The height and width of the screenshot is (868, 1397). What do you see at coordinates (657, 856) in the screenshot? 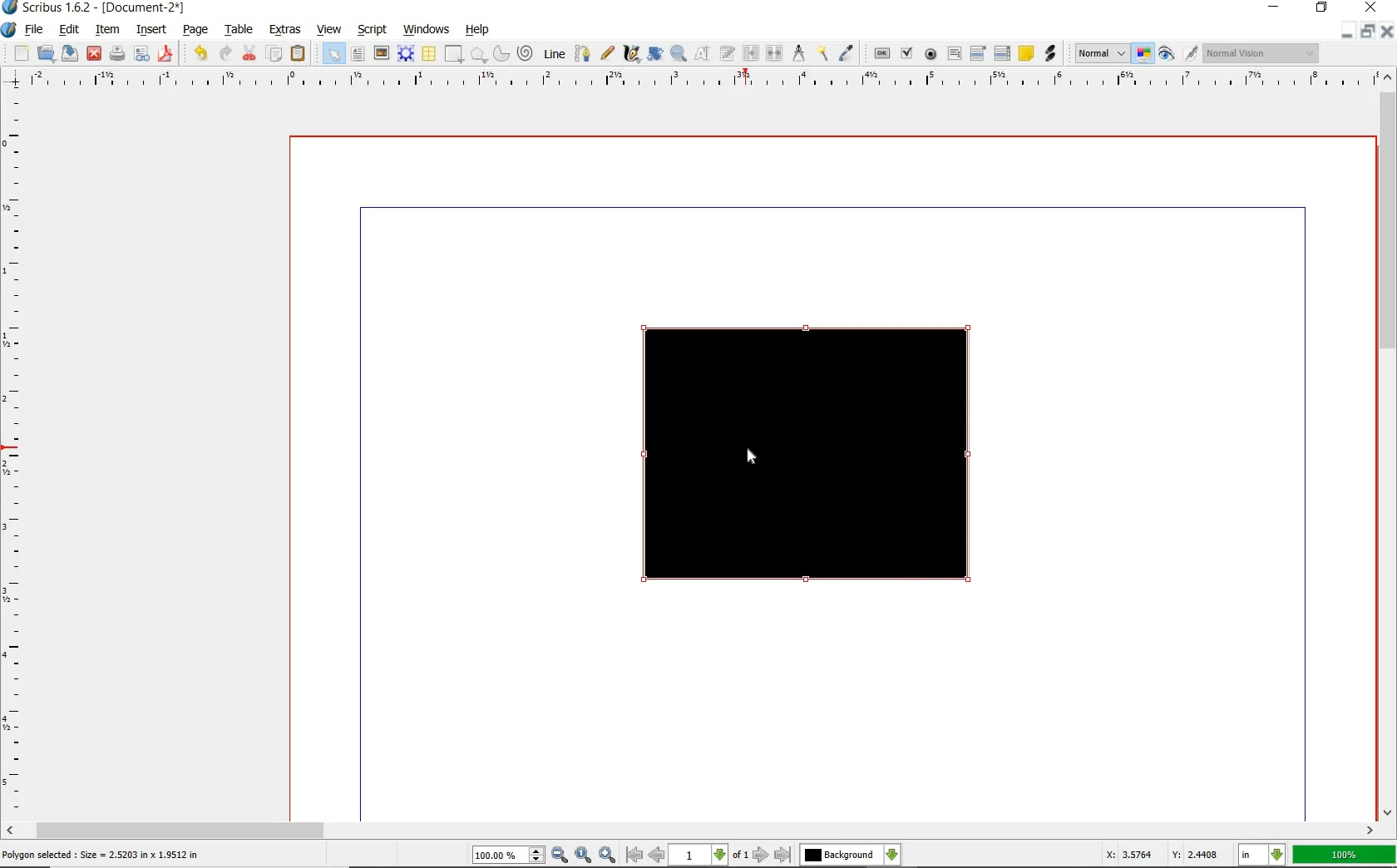
I see `go to previous page` at bounding box center [657, 856].